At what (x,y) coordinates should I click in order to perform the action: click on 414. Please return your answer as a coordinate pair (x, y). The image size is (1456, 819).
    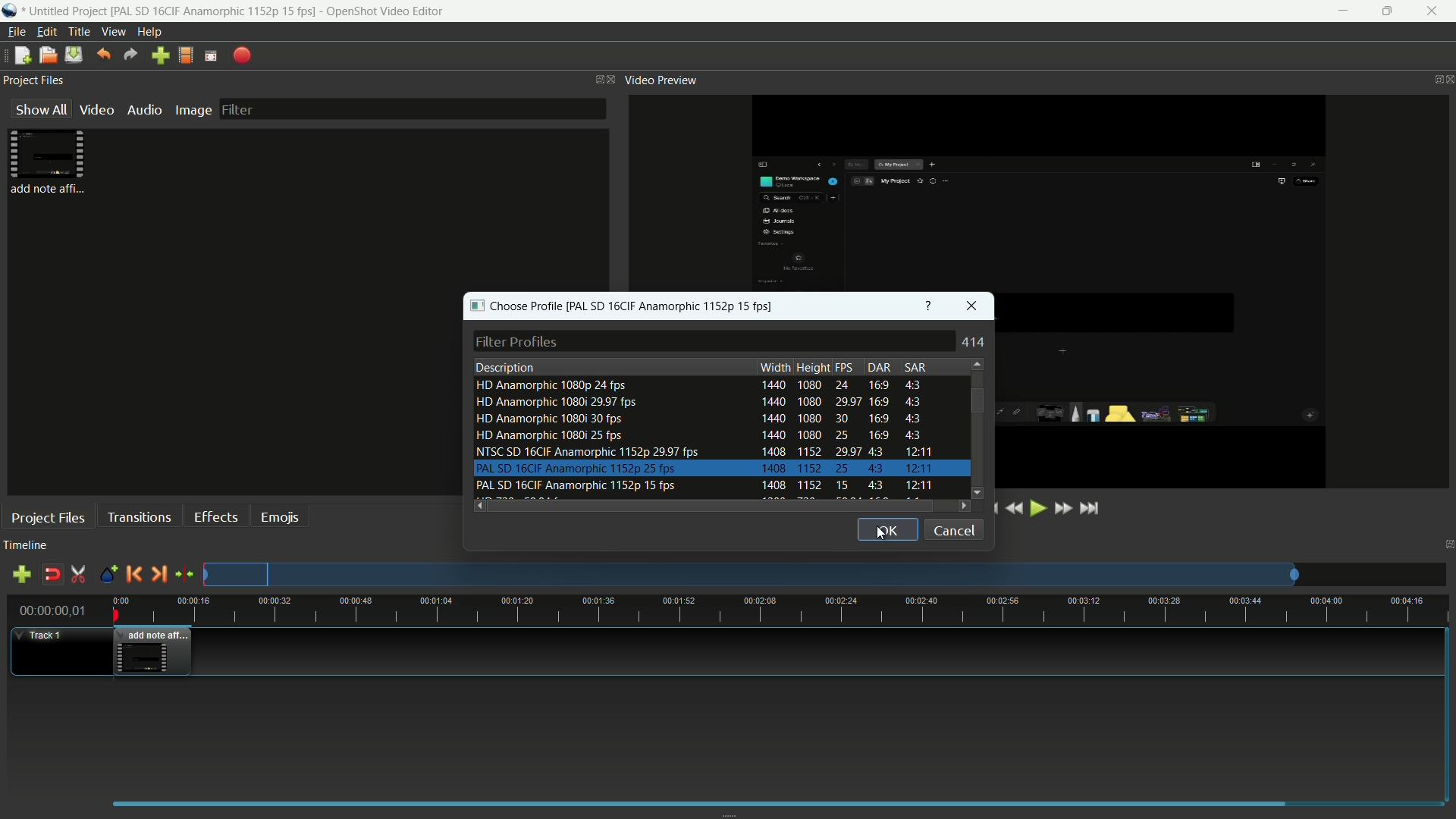
    Looking at the image, I should click on (976, 342).